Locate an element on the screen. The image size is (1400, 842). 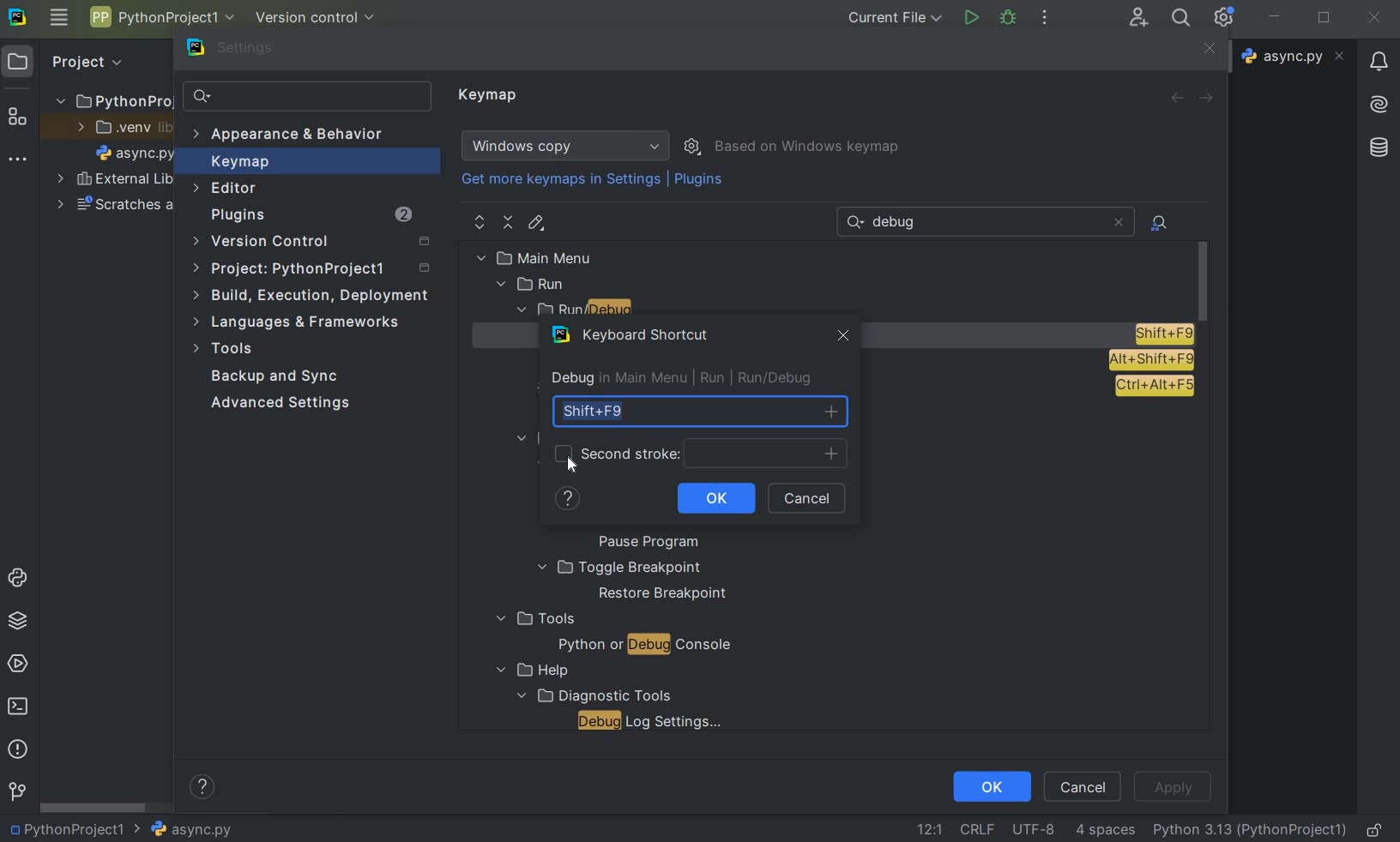
minimize is located at coordinates (1275, 16).